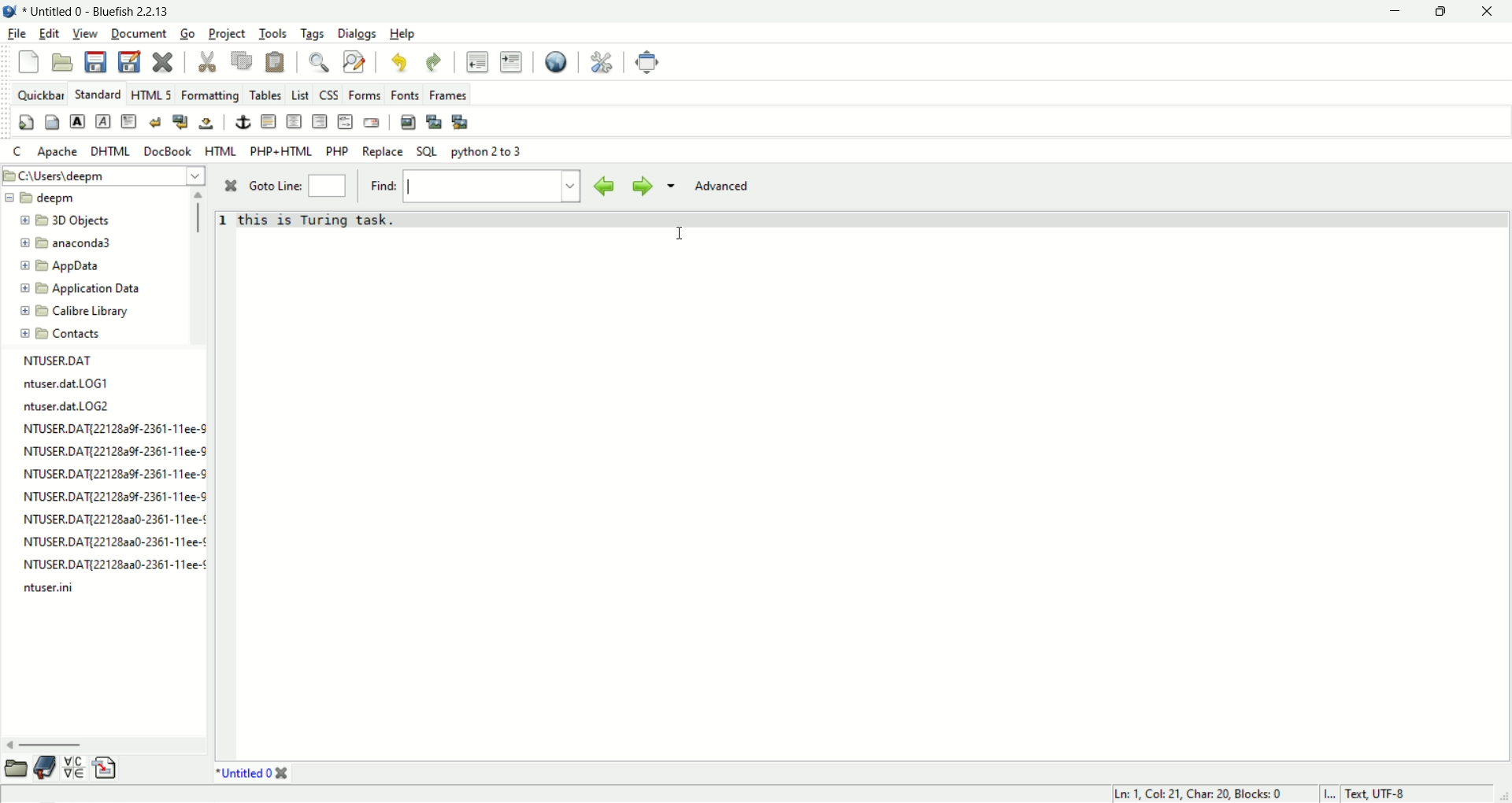 The image size is (1512, 803). I want to click on Calibre Library, so click(83, 310).